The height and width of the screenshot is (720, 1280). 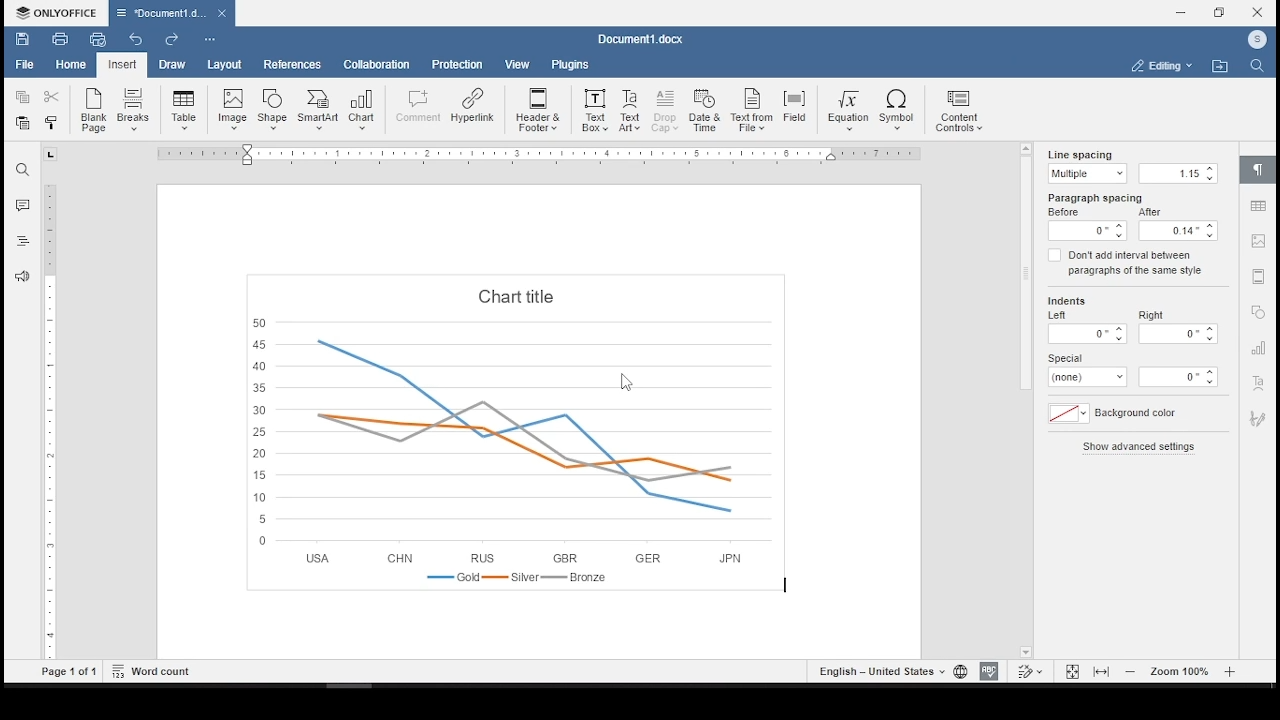 I want to click on select workspace, so click(x=1161, y=67).